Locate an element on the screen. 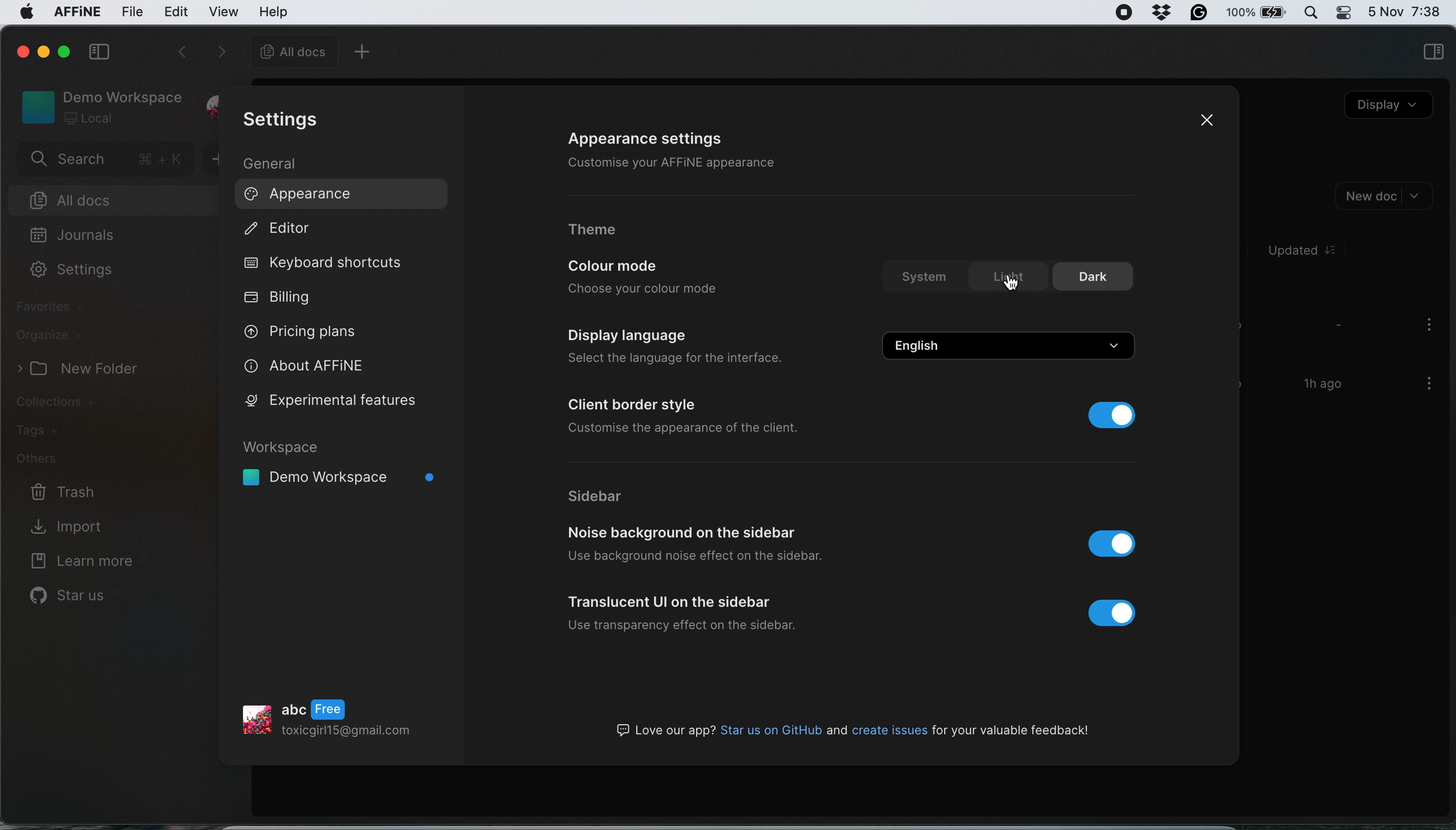 Image resolution: width=1456 pixels, height=830 pixels. close is located at coordinates (1206, 119).